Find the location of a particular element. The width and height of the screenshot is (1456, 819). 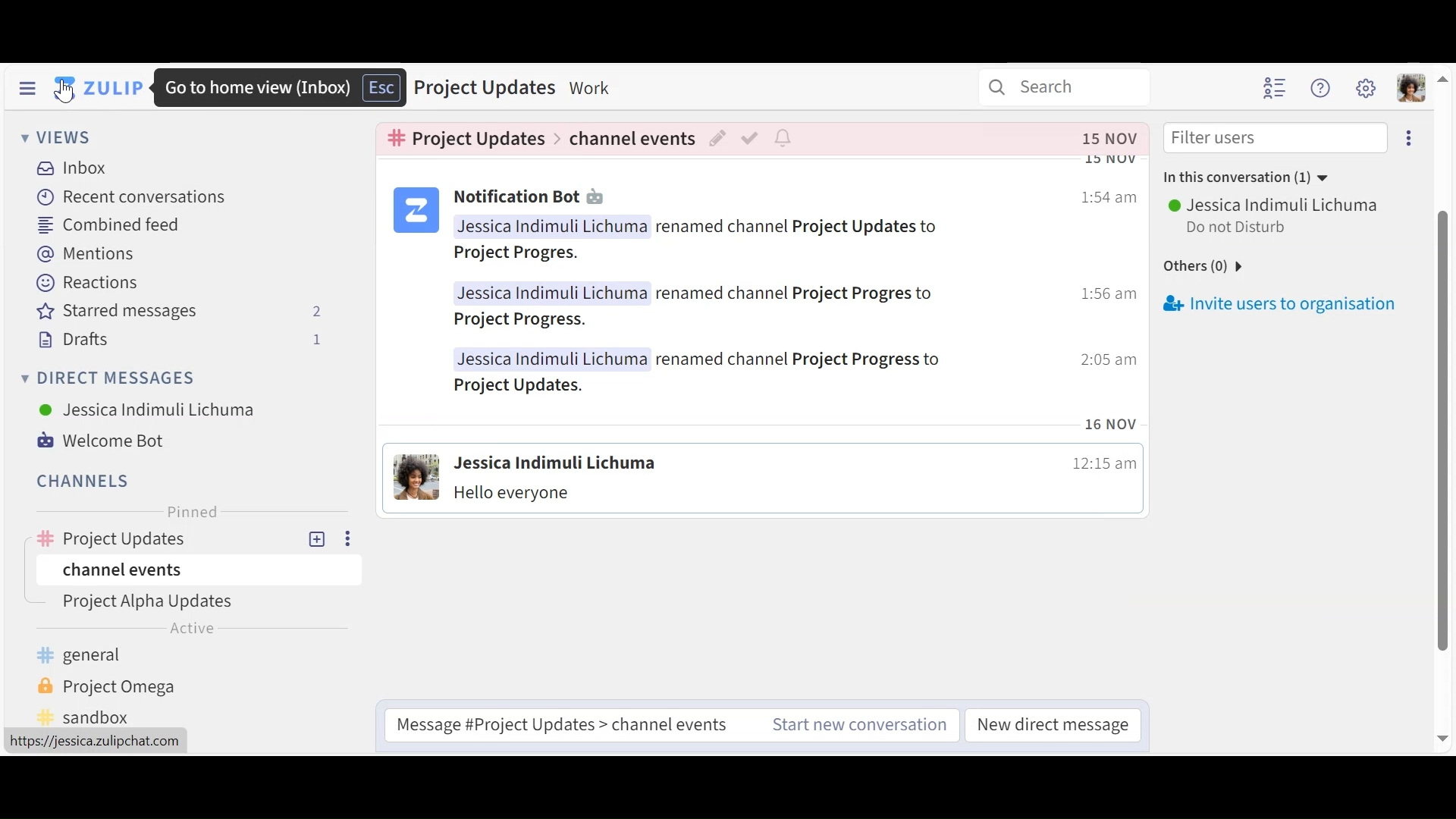

channel events is located at coordinates (631, 140).